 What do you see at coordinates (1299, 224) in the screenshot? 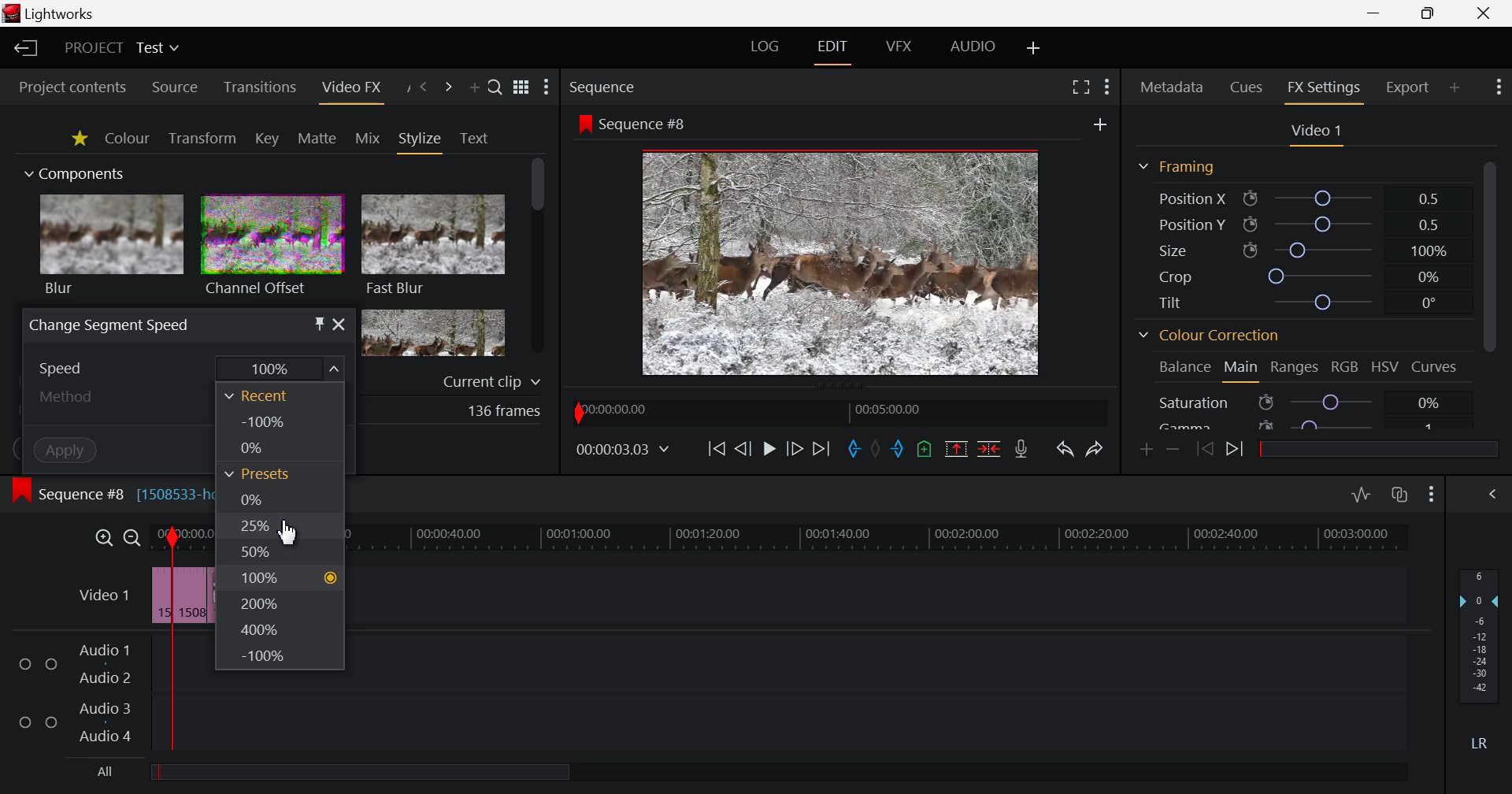
I see `Position Y` at bounding box center [1299, 224].